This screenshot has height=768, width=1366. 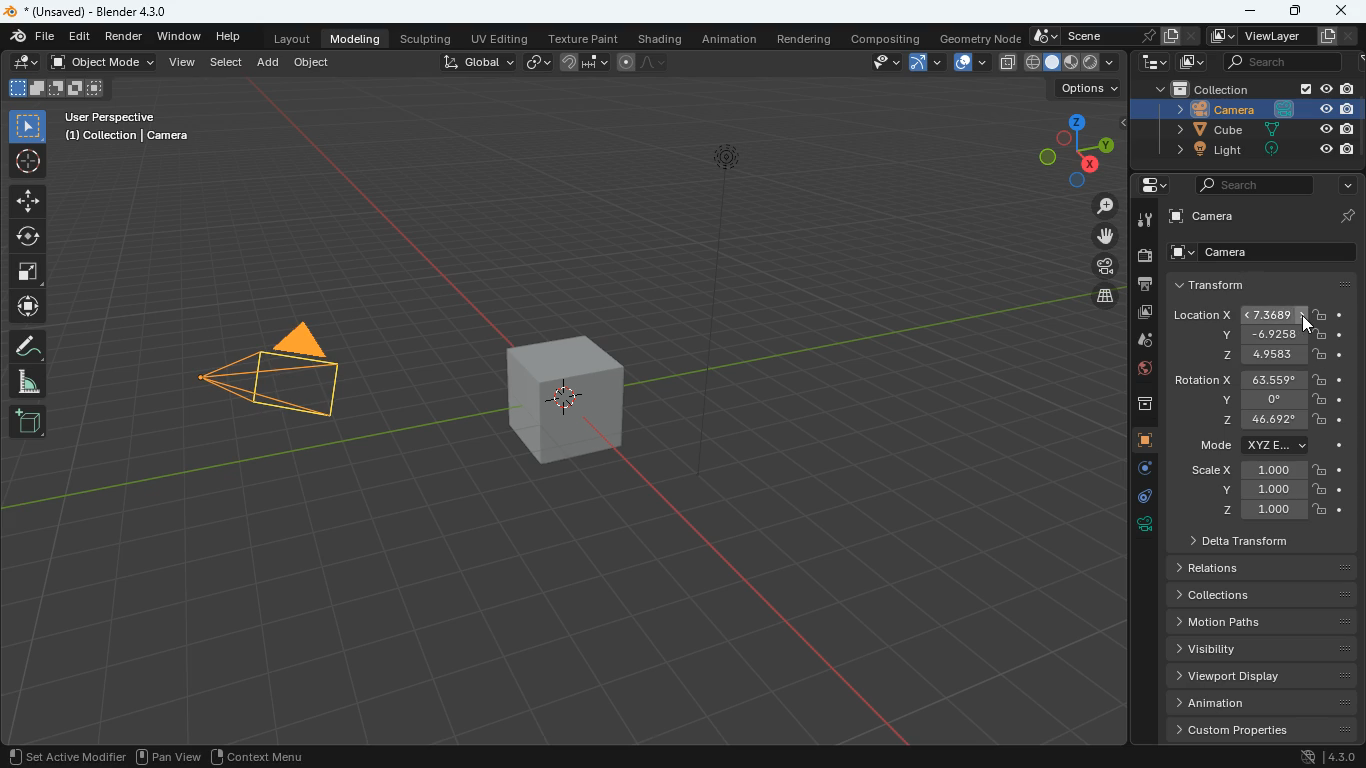 What do you see at coordinates (1264, 569) in the screenshot?
I see `relations` at bounding box center [1264, 569].